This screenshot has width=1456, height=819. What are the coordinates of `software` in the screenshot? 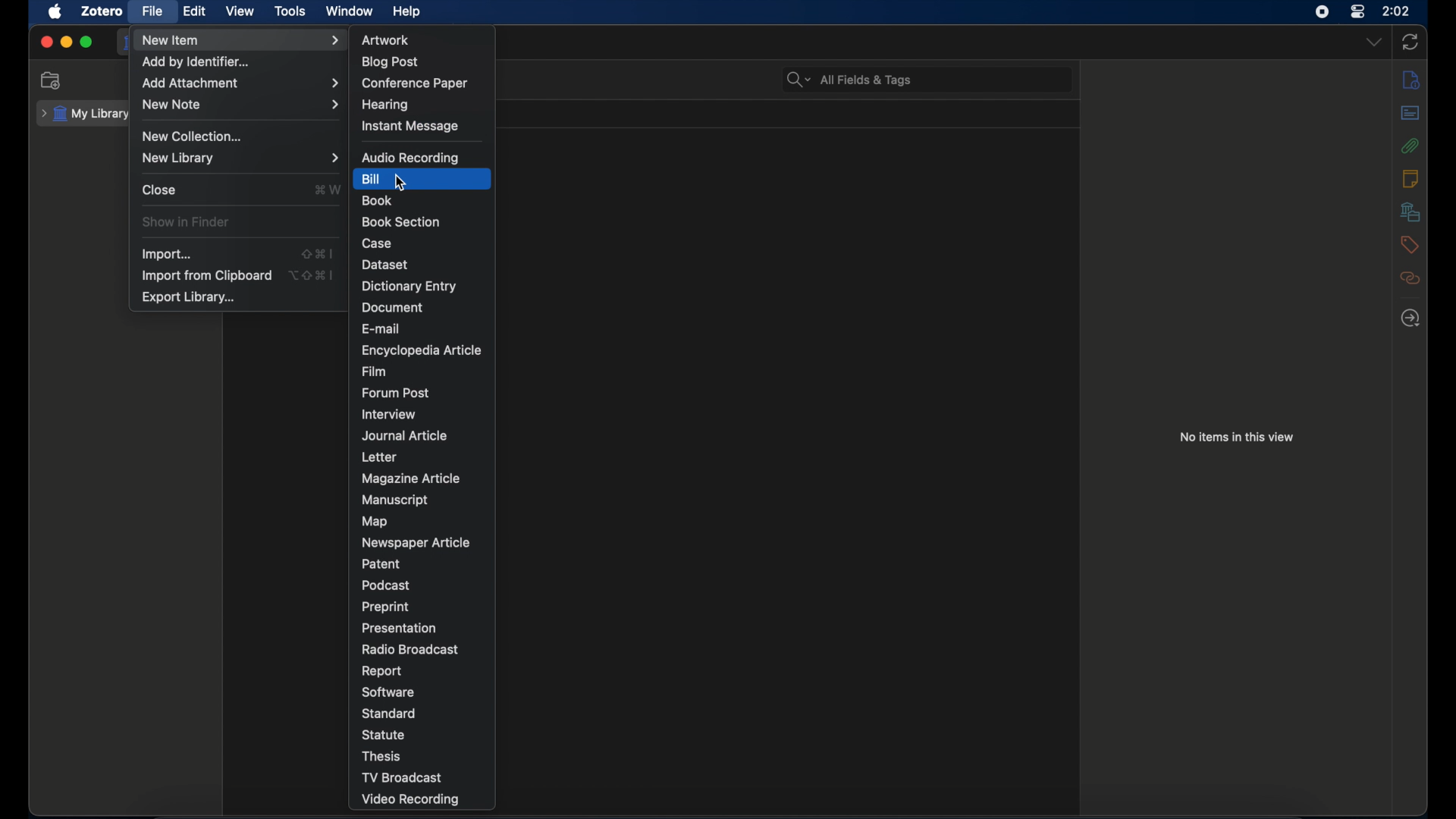 It's located at (390, 692).